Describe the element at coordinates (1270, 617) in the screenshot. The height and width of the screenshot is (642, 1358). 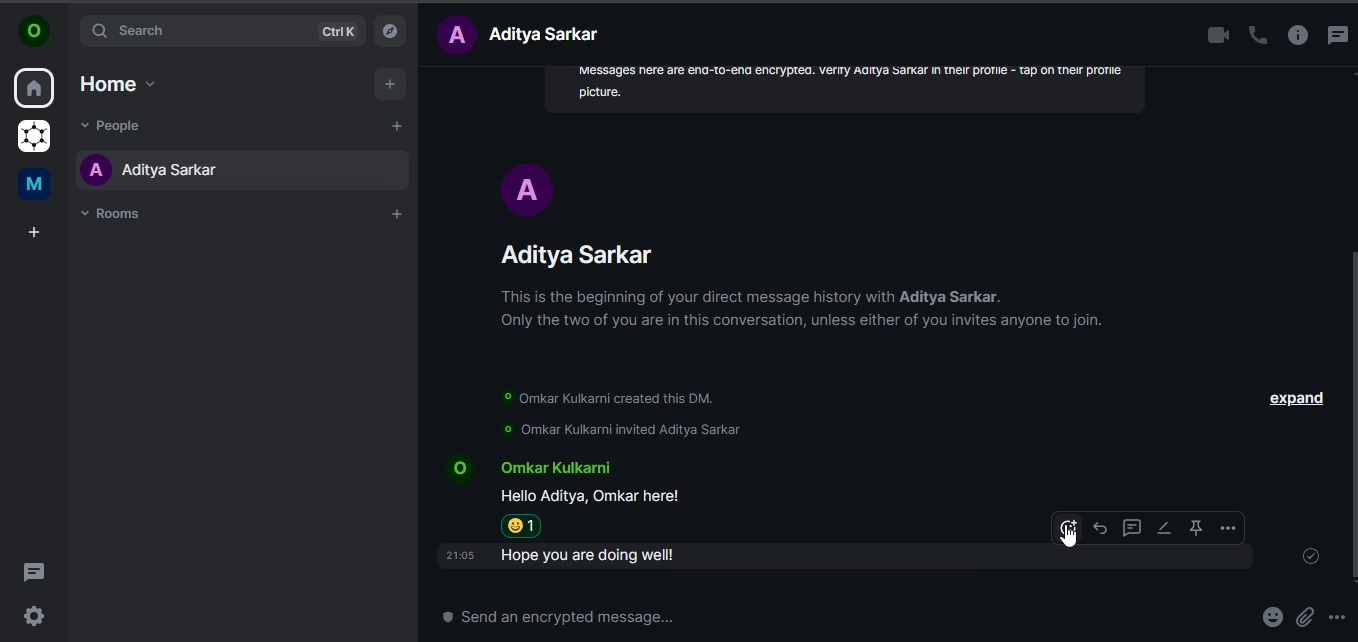
I see `emoji` at that location.